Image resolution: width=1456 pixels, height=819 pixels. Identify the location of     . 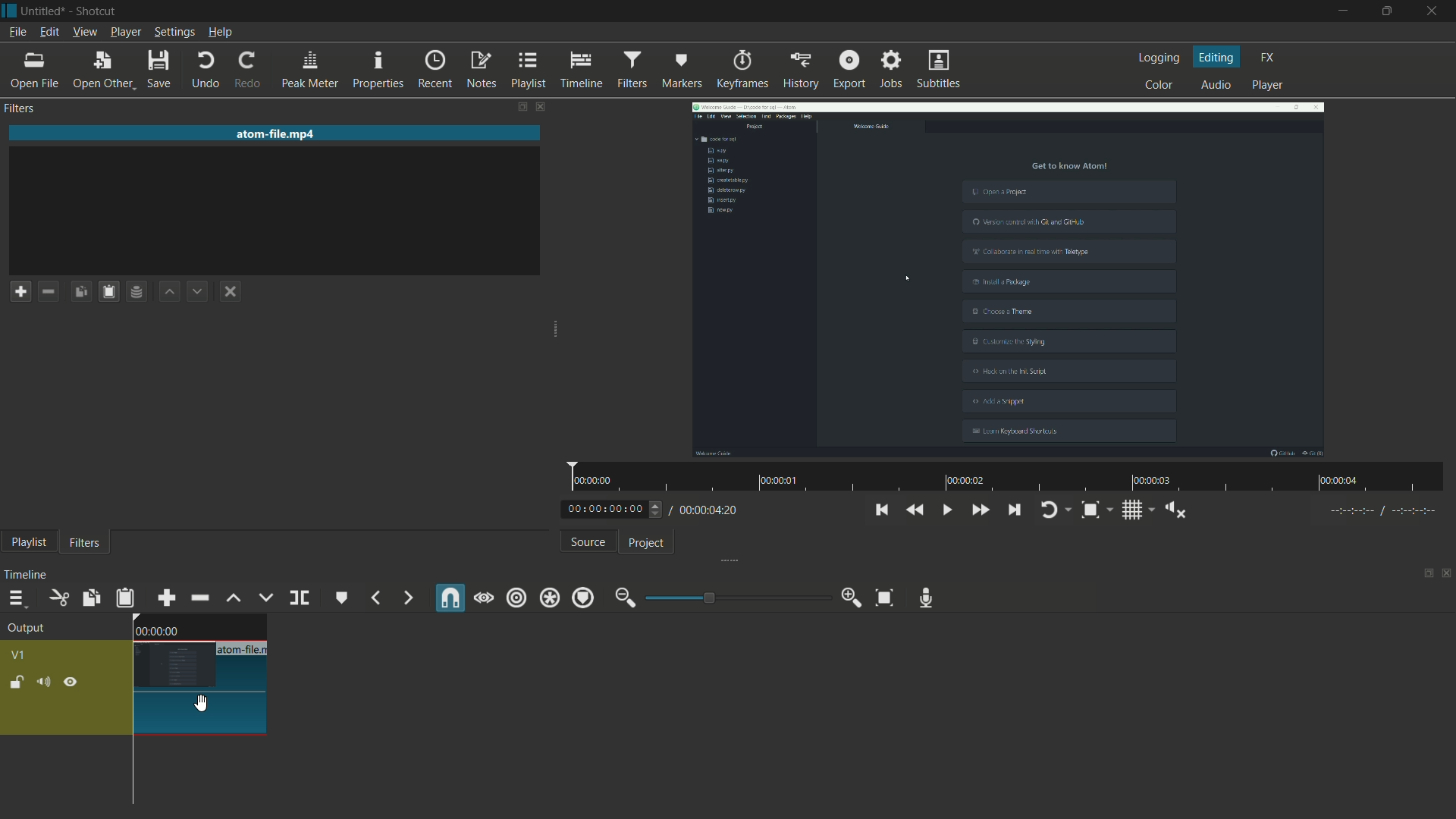
(167, 598).